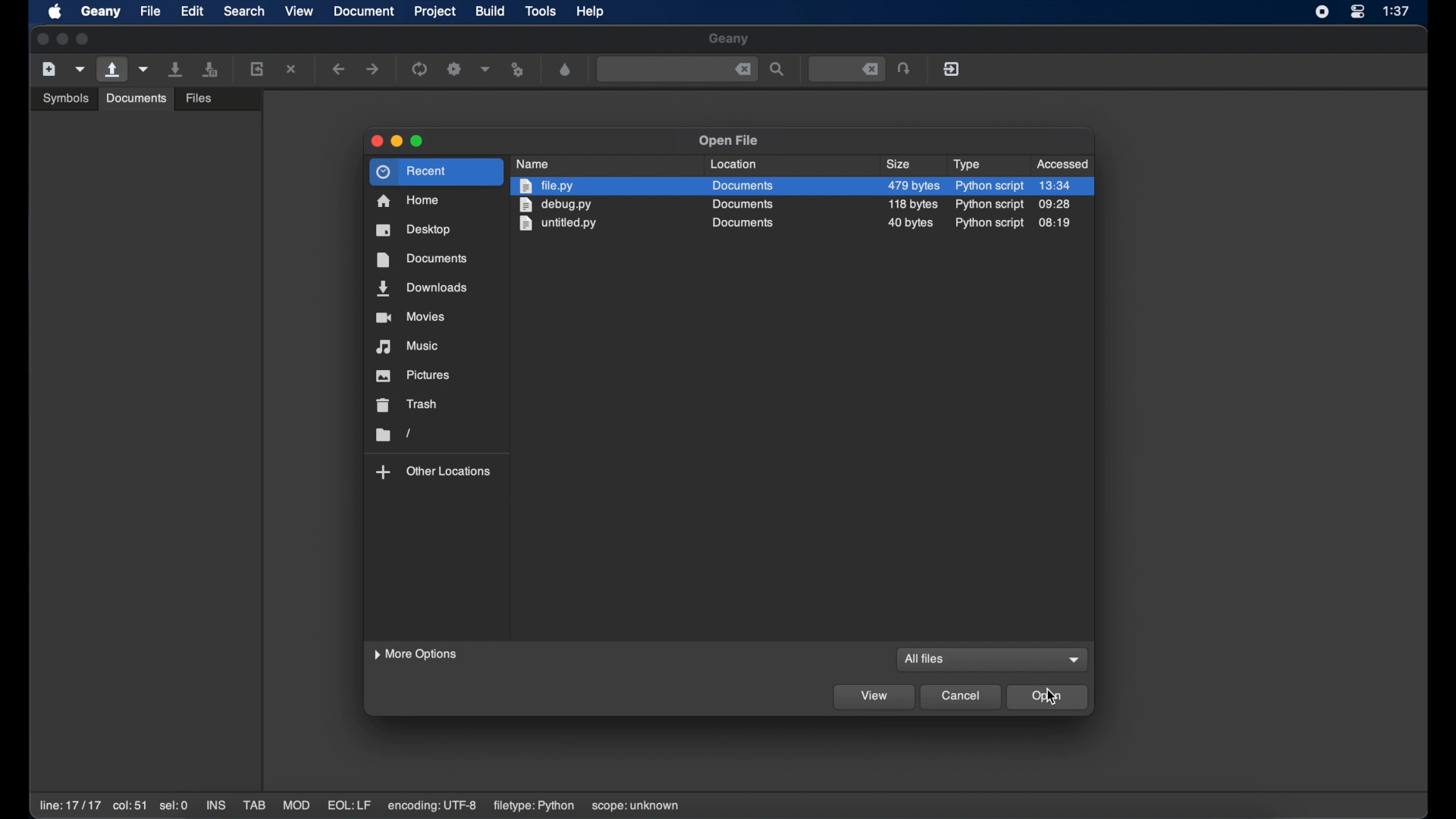 This screenshot has width=1456, height=819. What do you see at coordinates (1064, 164) in the screenshot?
I see `accessed` at bounding box center [1064, 164].